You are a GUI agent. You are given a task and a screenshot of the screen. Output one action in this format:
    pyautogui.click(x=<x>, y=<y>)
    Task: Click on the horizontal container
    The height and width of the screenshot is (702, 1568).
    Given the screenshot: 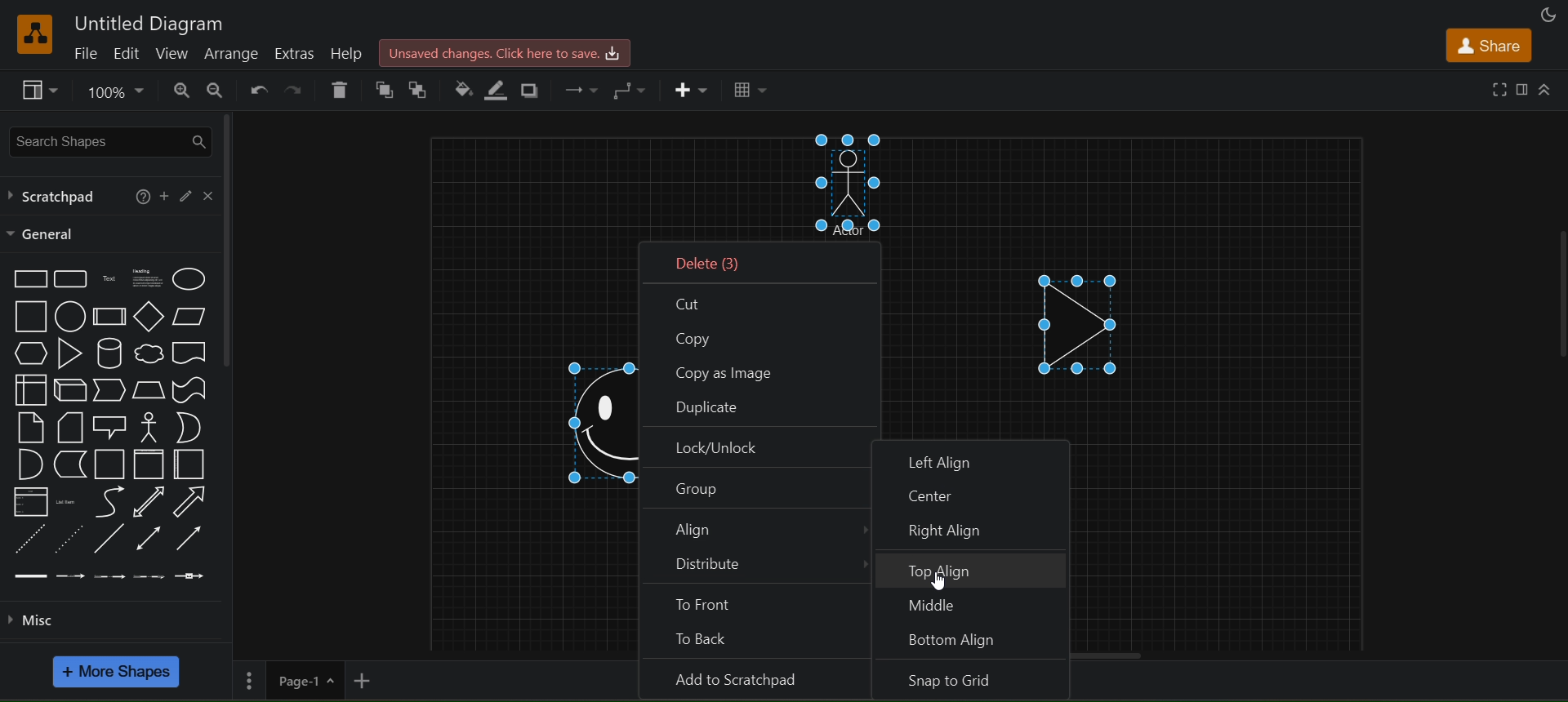 What is the action you would take?
    pyautogui.click(x=189, y=464)
    